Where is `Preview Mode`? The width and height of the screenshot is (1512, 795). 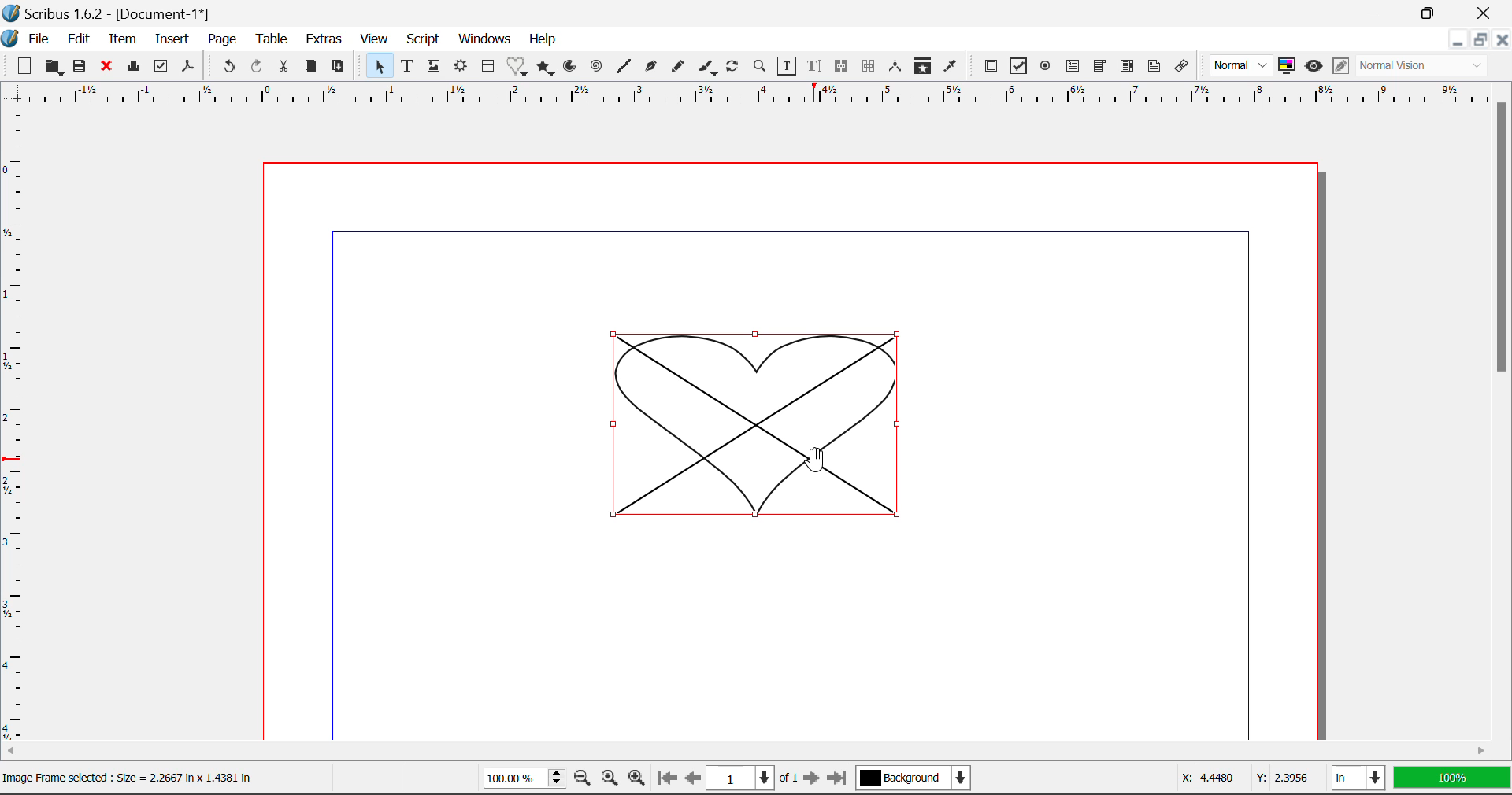
Preview Mode is located at coordinates (1314, 68).